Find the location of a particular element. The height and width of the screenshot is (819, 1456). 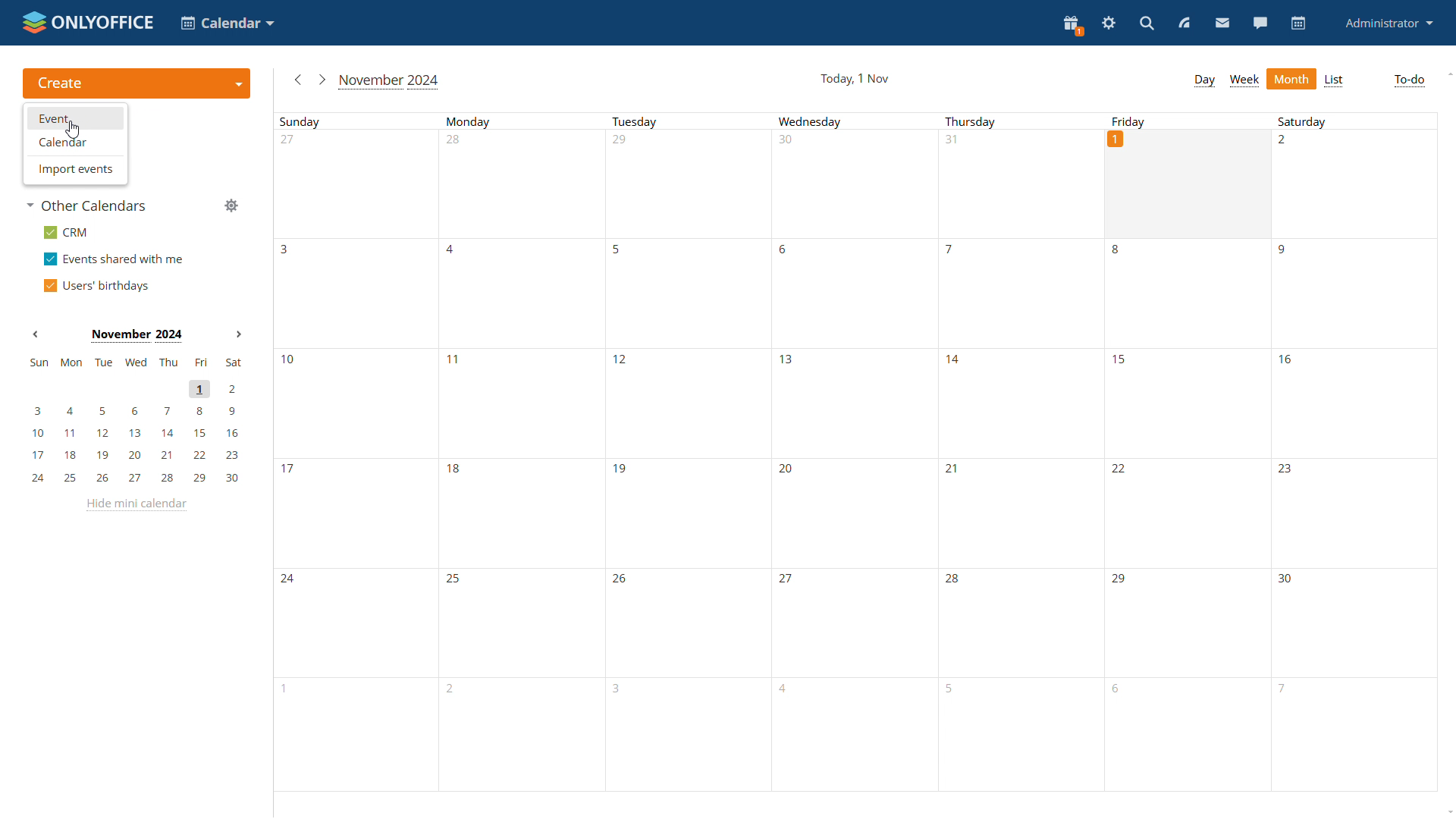

administrator is located at coordinates (1390, 22).